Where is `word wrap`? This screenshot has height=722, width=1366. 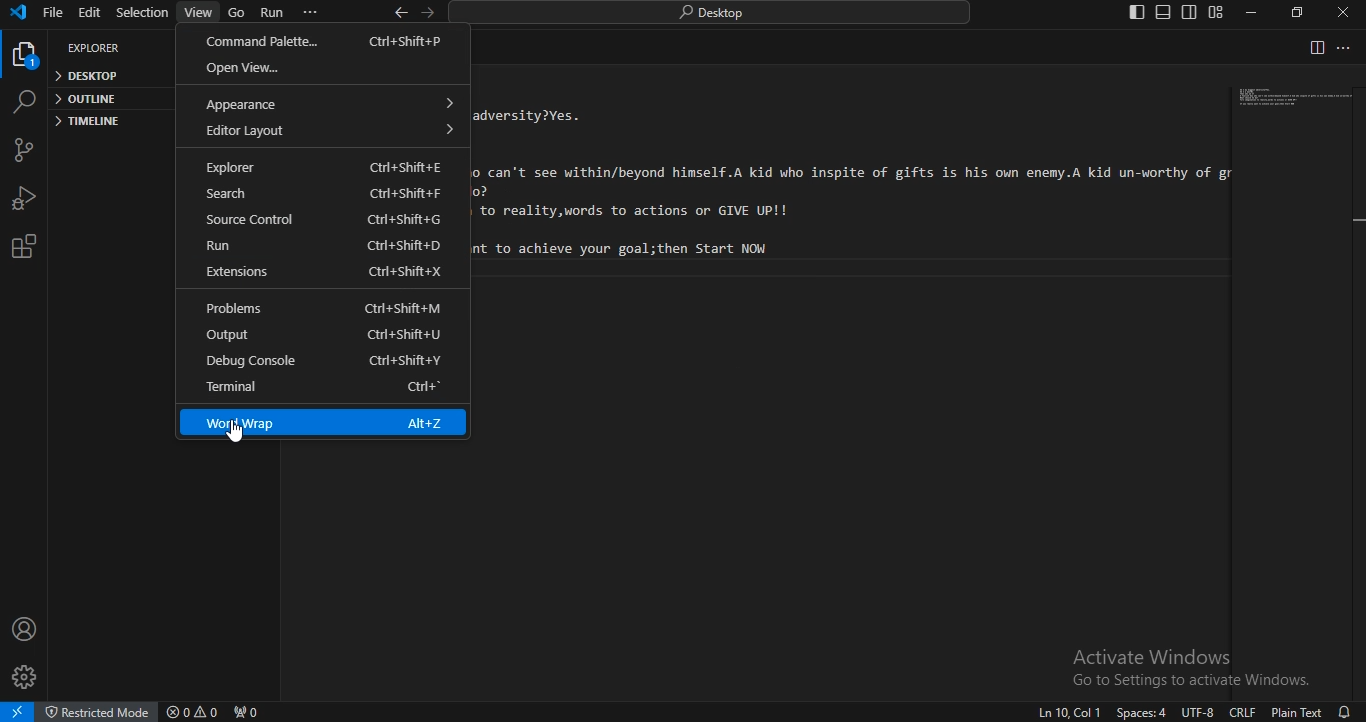 word wrap is located at coordinates (324, 421).